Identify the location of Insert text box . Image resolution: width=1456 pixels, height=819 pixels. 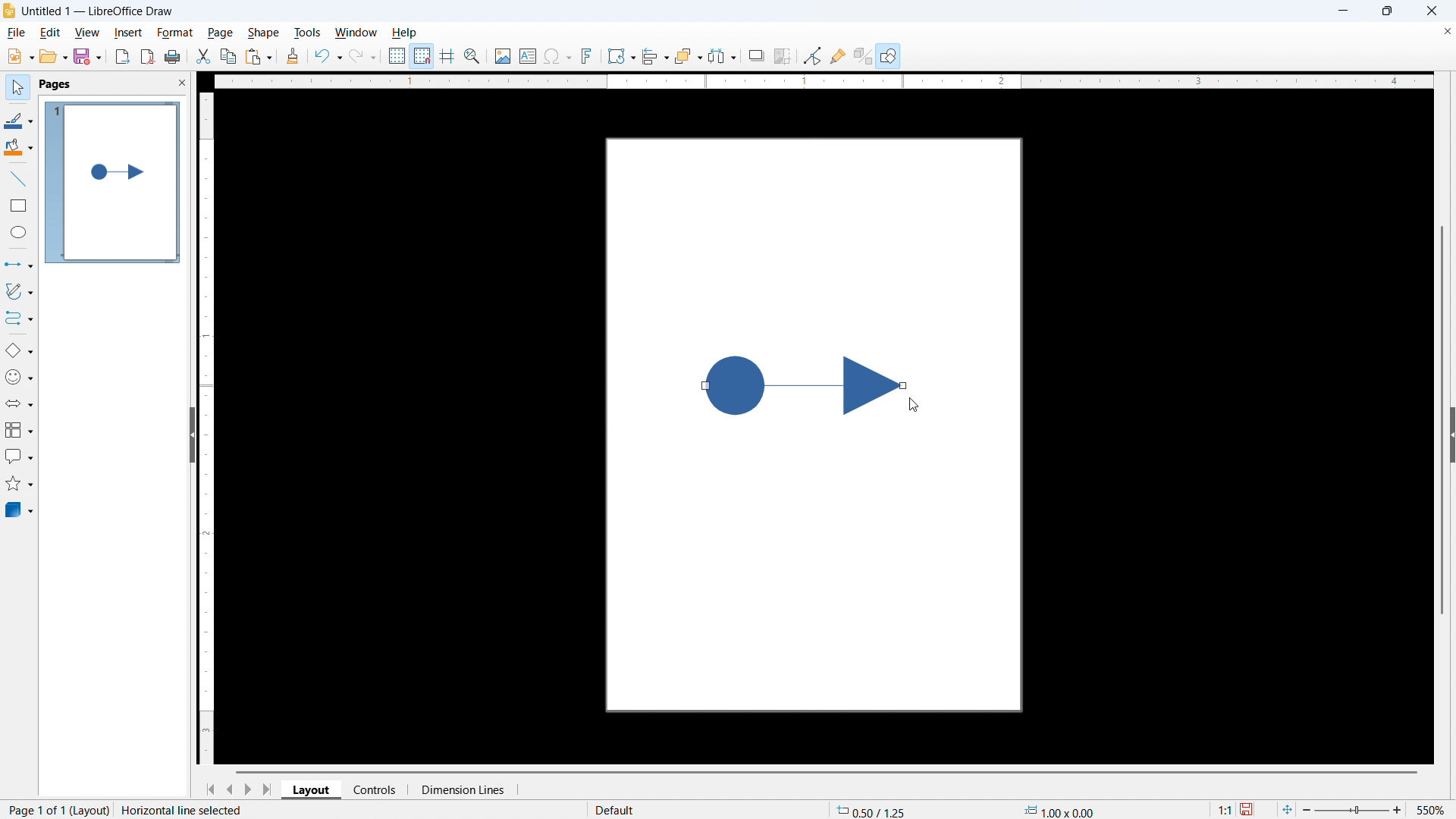
(529, 55).